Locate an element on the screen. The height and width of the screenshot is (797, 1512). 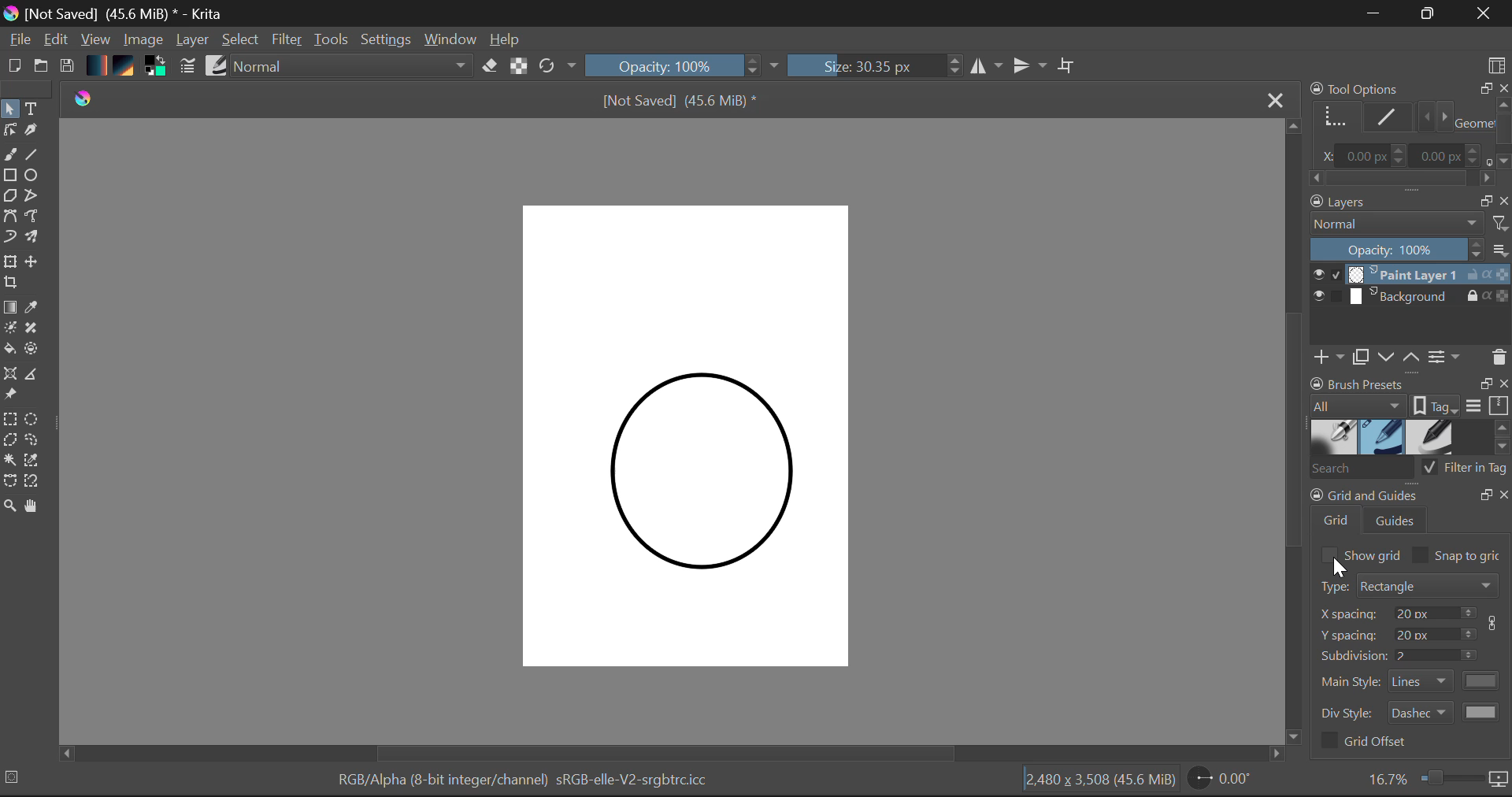
File Name & Size is located at coordinates (680, 99).